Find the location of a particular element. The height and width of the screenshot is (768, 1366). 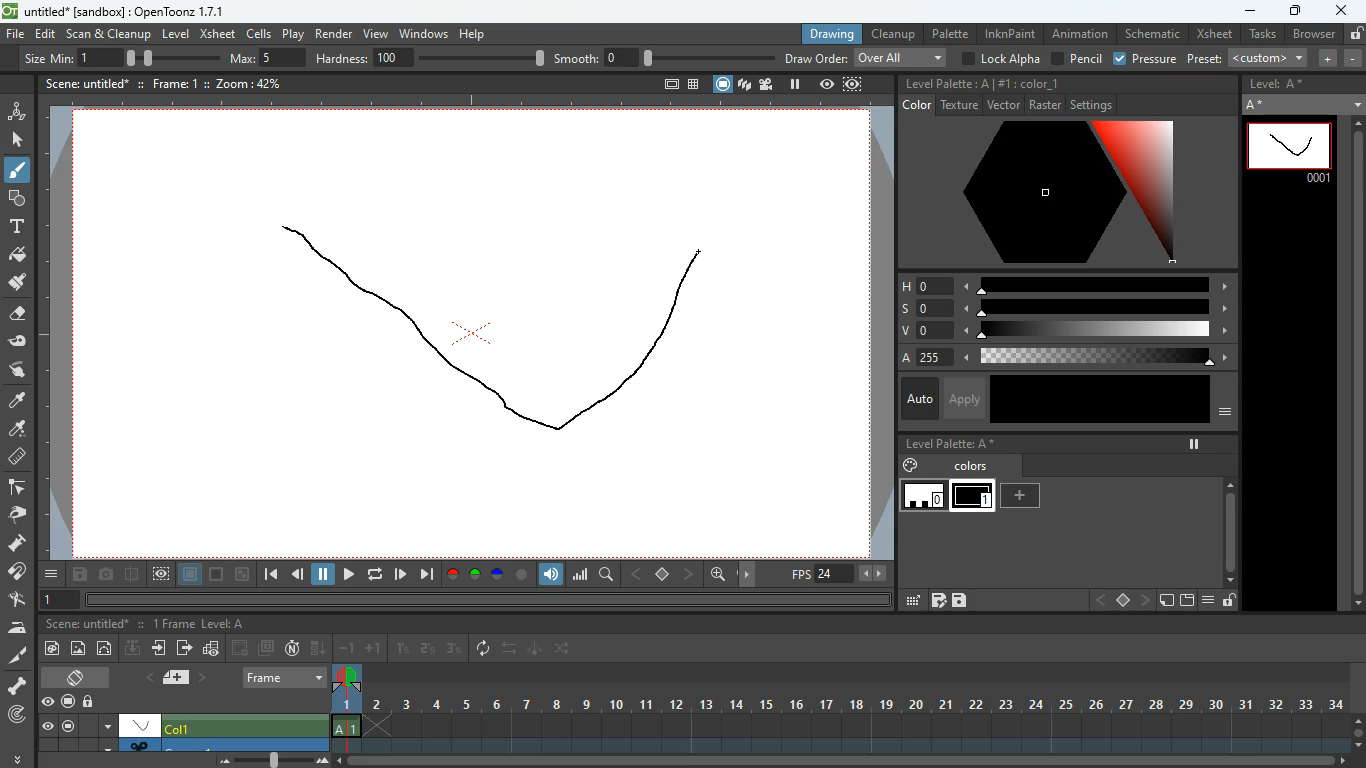

Settings is located at coordinates (1092, 105).